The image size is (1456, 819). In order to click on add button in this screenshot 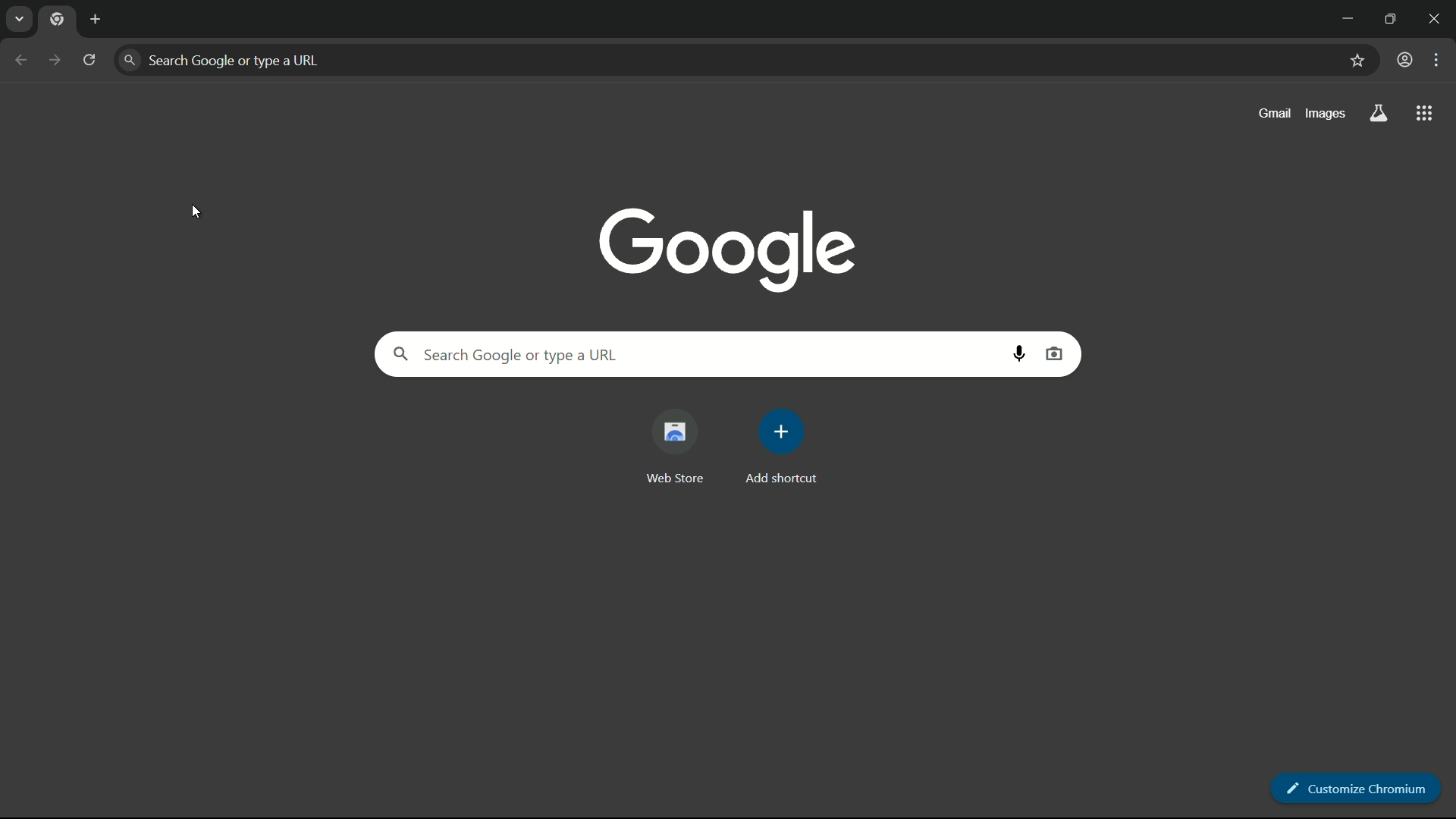, I will do `click(99, 19)`.